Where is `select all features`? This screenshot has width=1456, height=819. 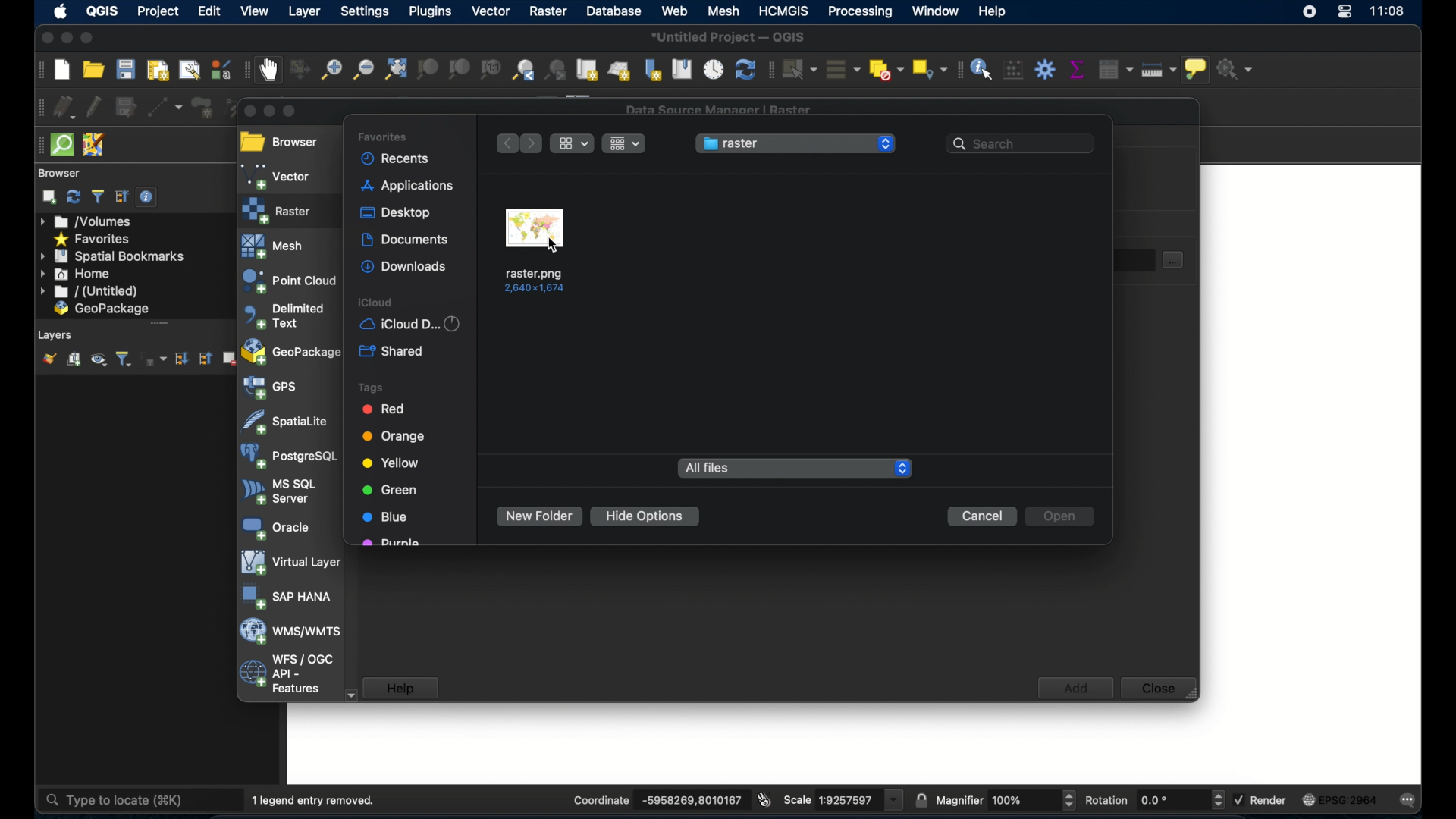
select all features is located at coordinates (840, 69).